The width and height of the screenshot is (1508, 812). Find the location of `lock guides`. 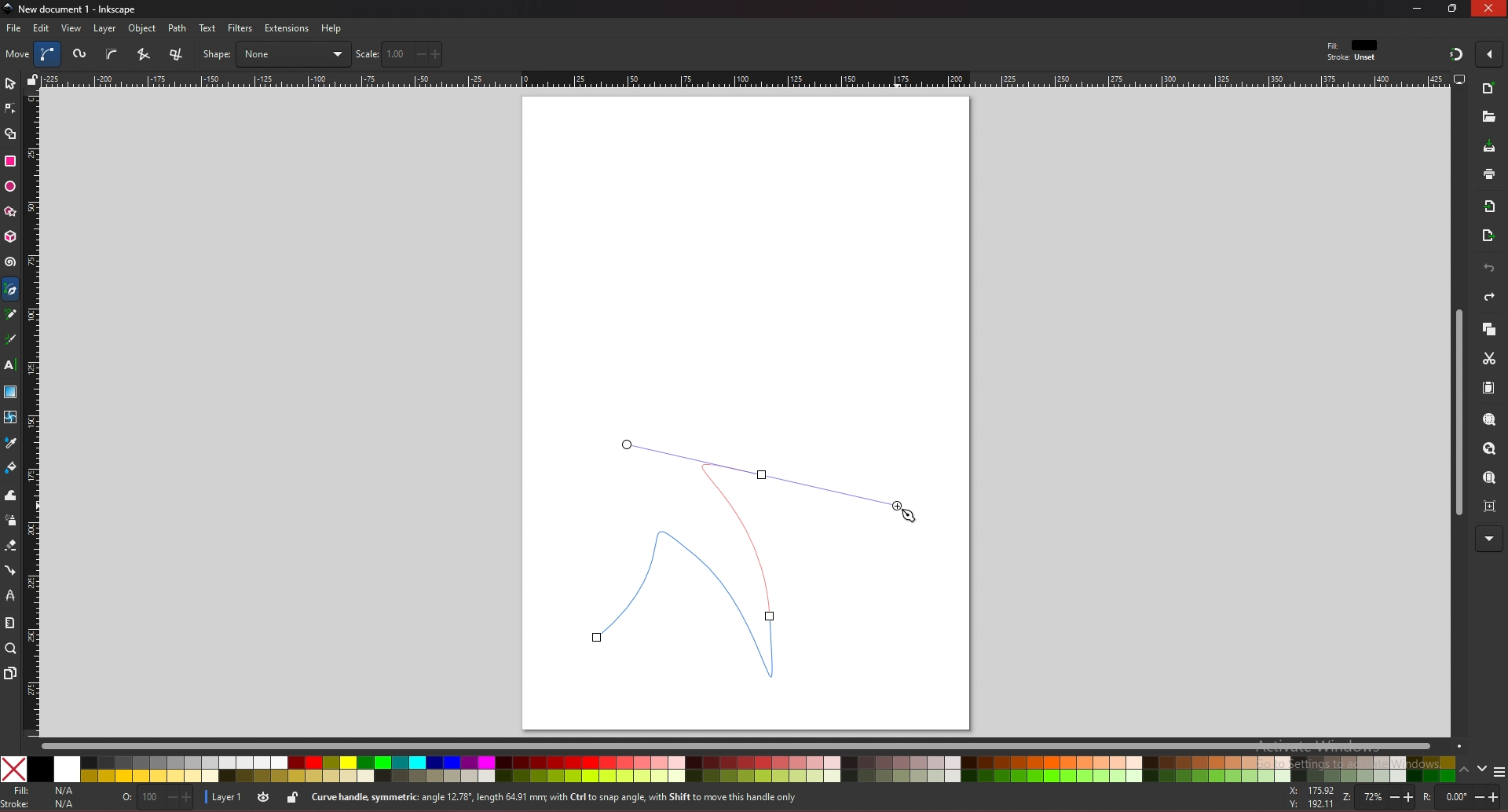

lock guides is located at coordinates (32, 79).